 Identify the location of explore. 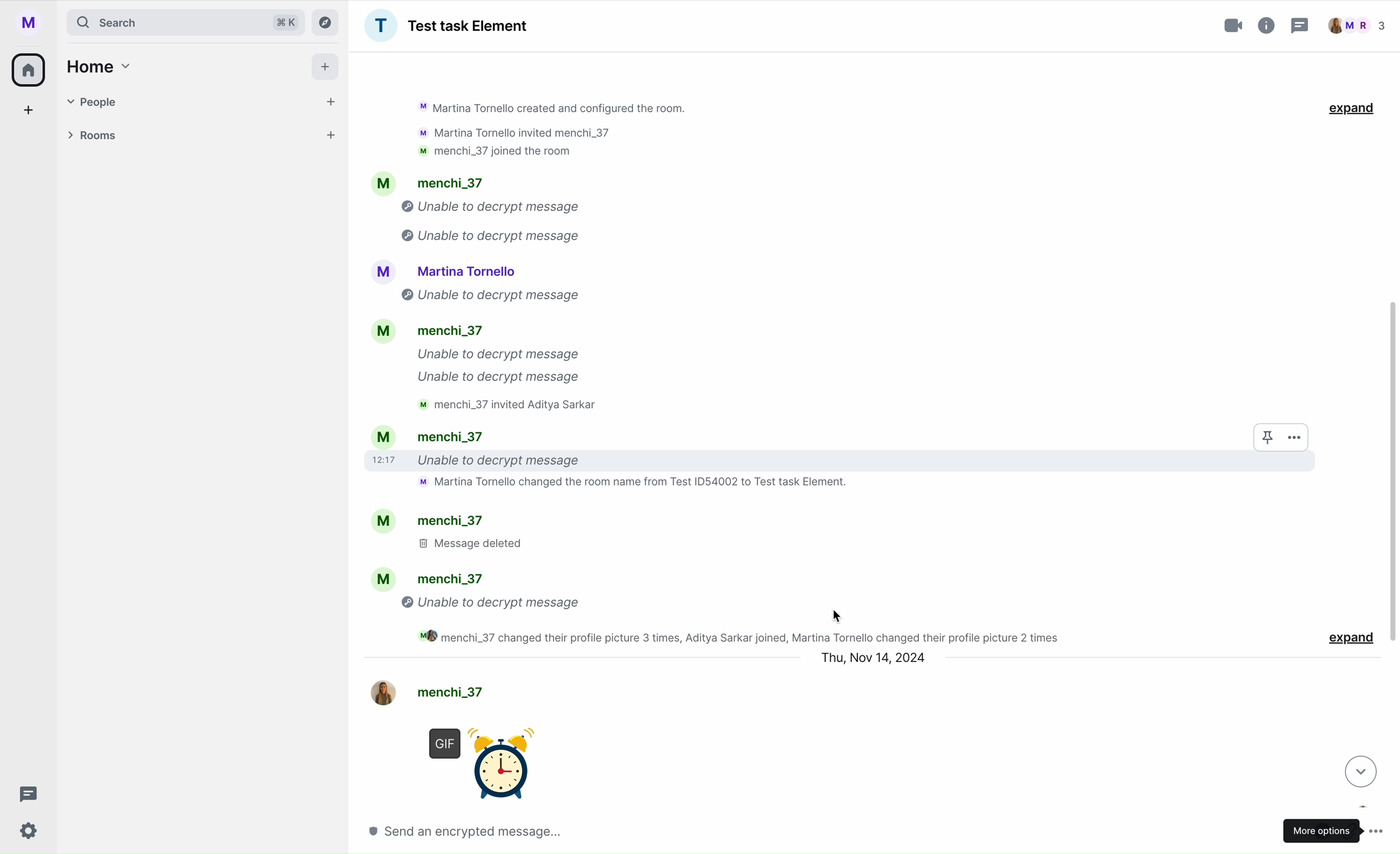
(328, 22).